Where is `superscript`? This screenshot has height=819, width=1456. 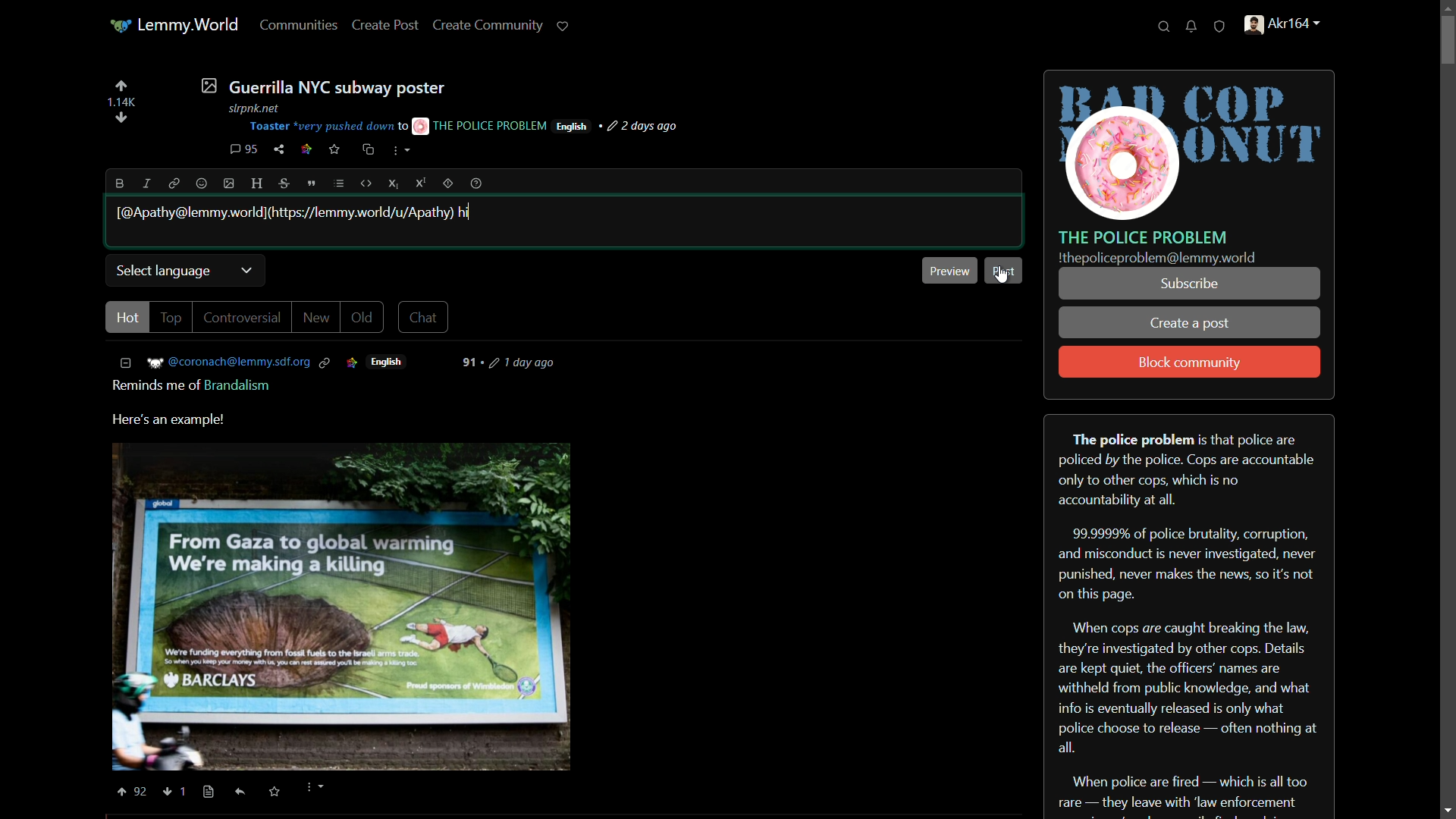 superscript is located at coordinates (421, 183).